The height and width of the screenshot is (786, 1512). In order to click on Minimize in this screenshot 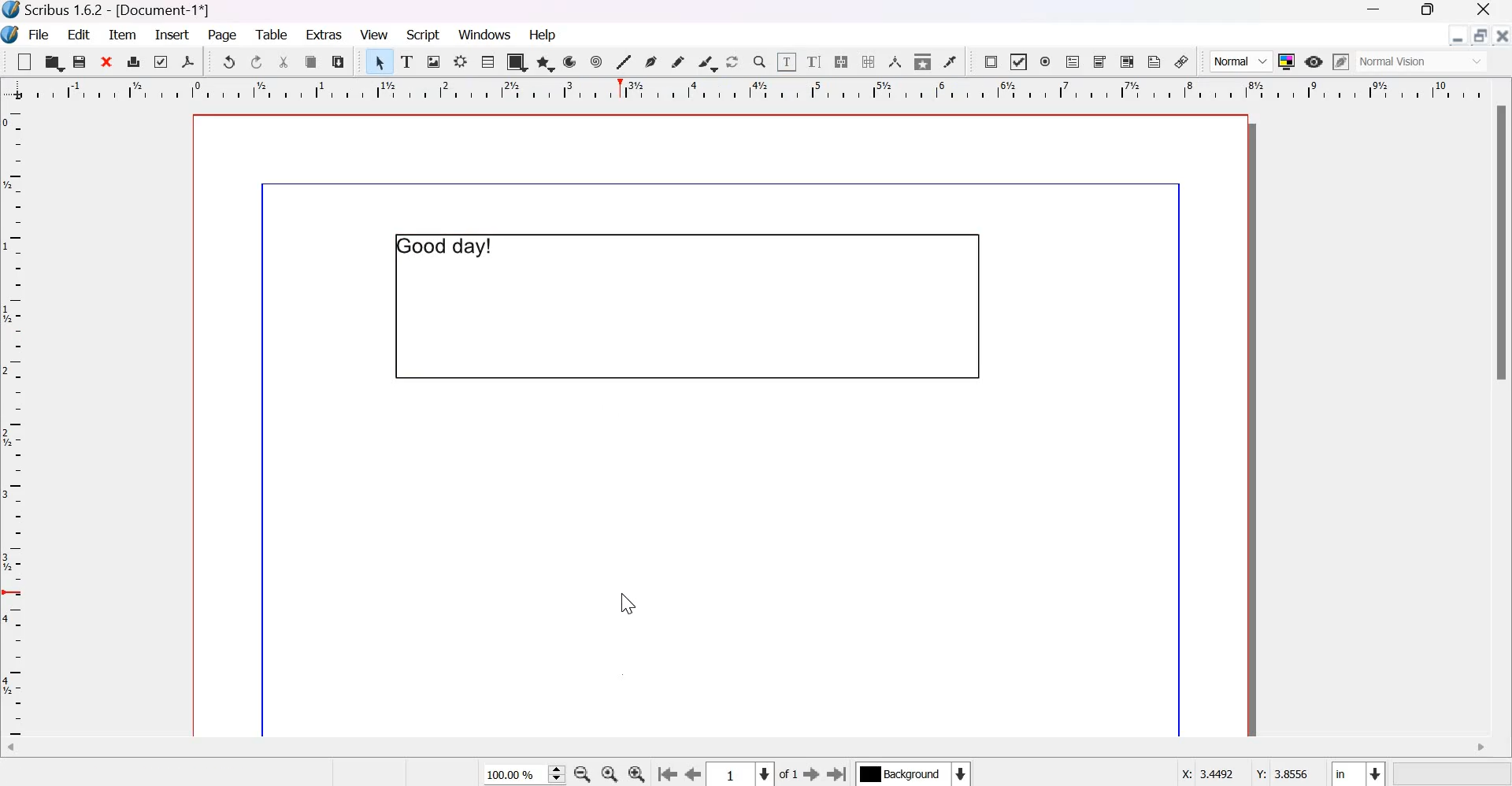, I will do `click(1374, 11)`.